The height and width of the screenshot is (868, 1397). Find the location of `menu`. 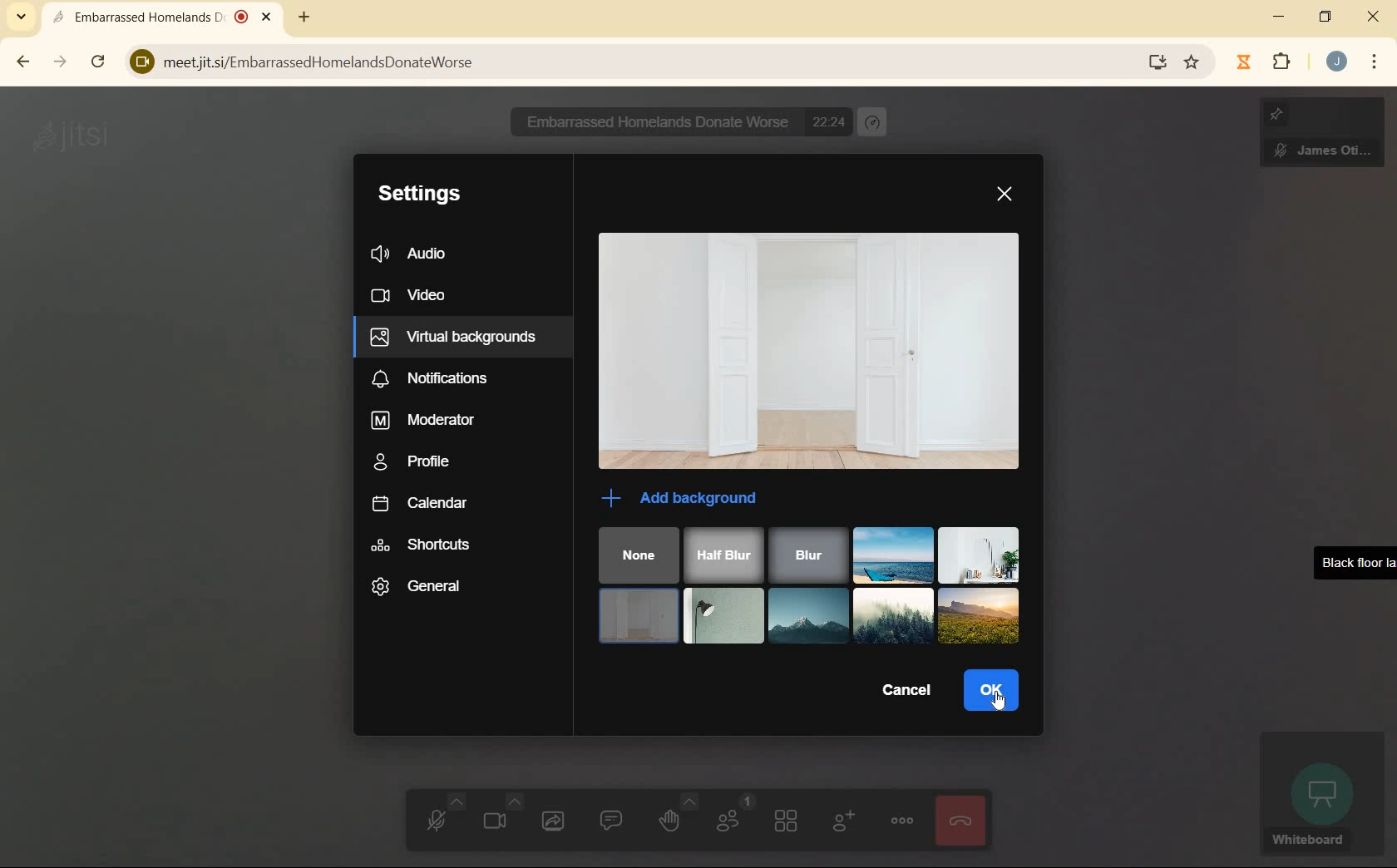

menu is located at coordinates (1375, 64).